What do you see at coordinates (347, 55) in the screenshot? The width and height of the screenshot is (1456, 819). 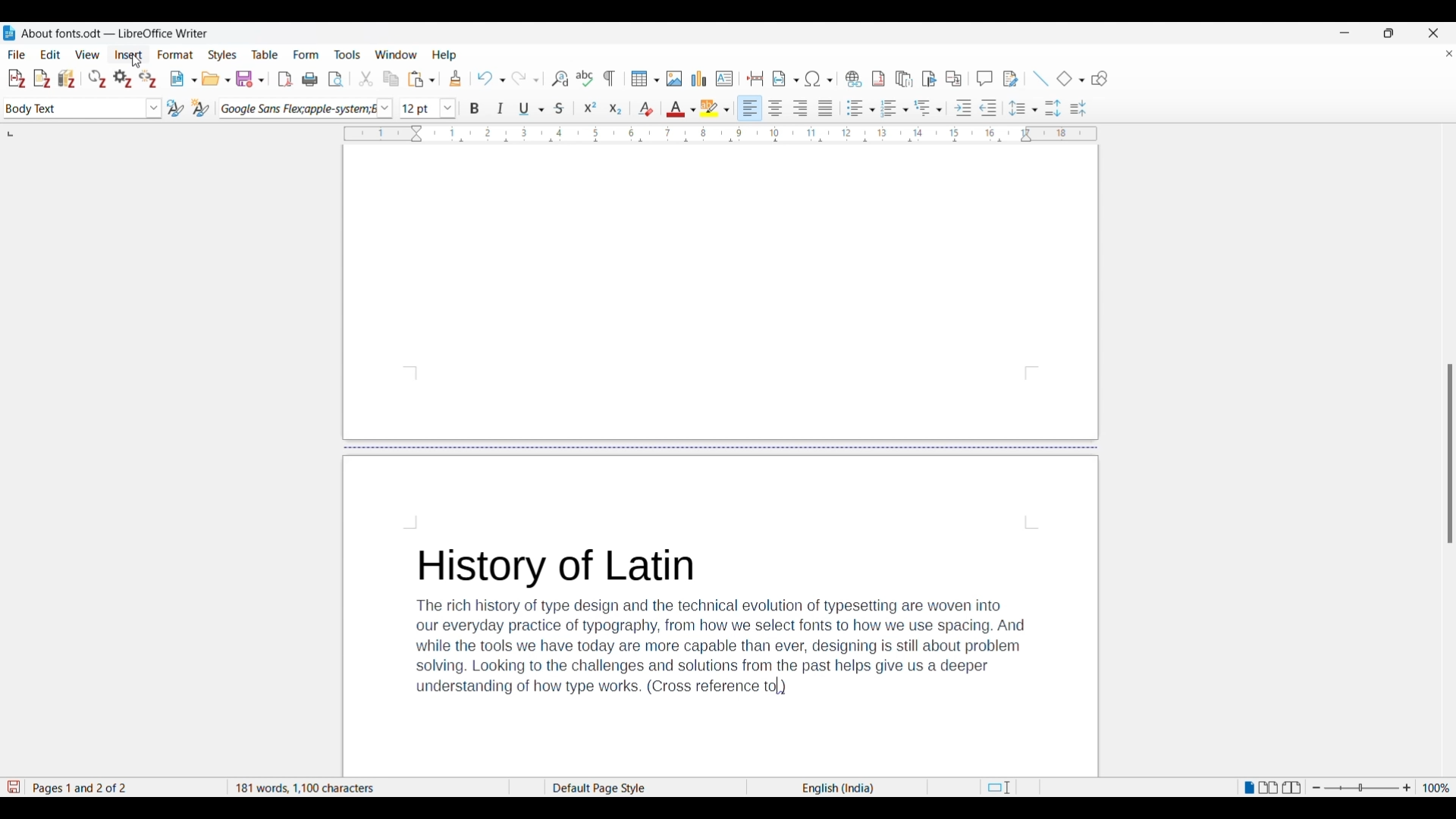 I see `Tools menu` at bounding box center [347, 55].